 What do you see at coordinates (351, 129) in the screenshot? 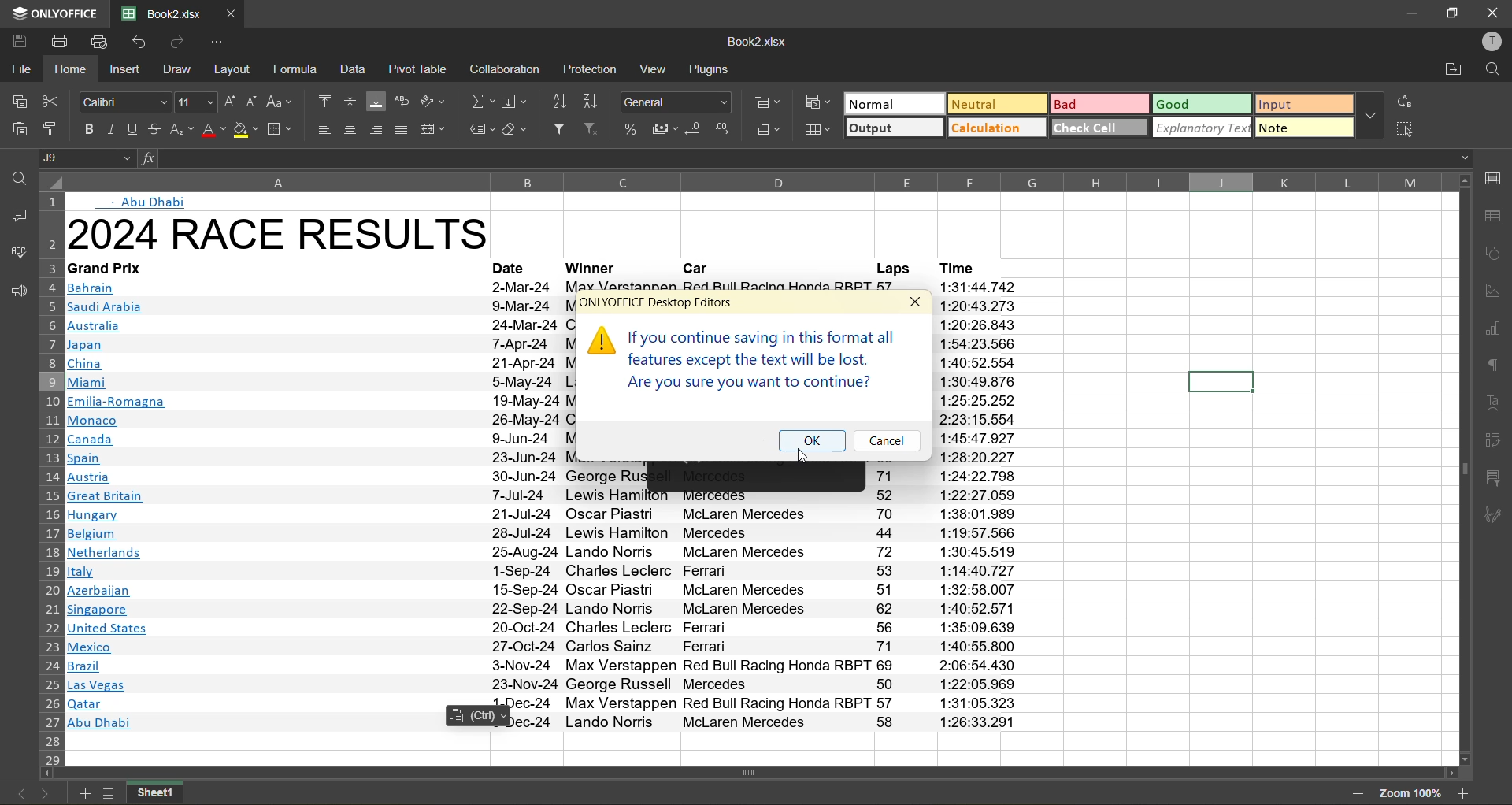
I see `align center` at bounding box center [351, 129].